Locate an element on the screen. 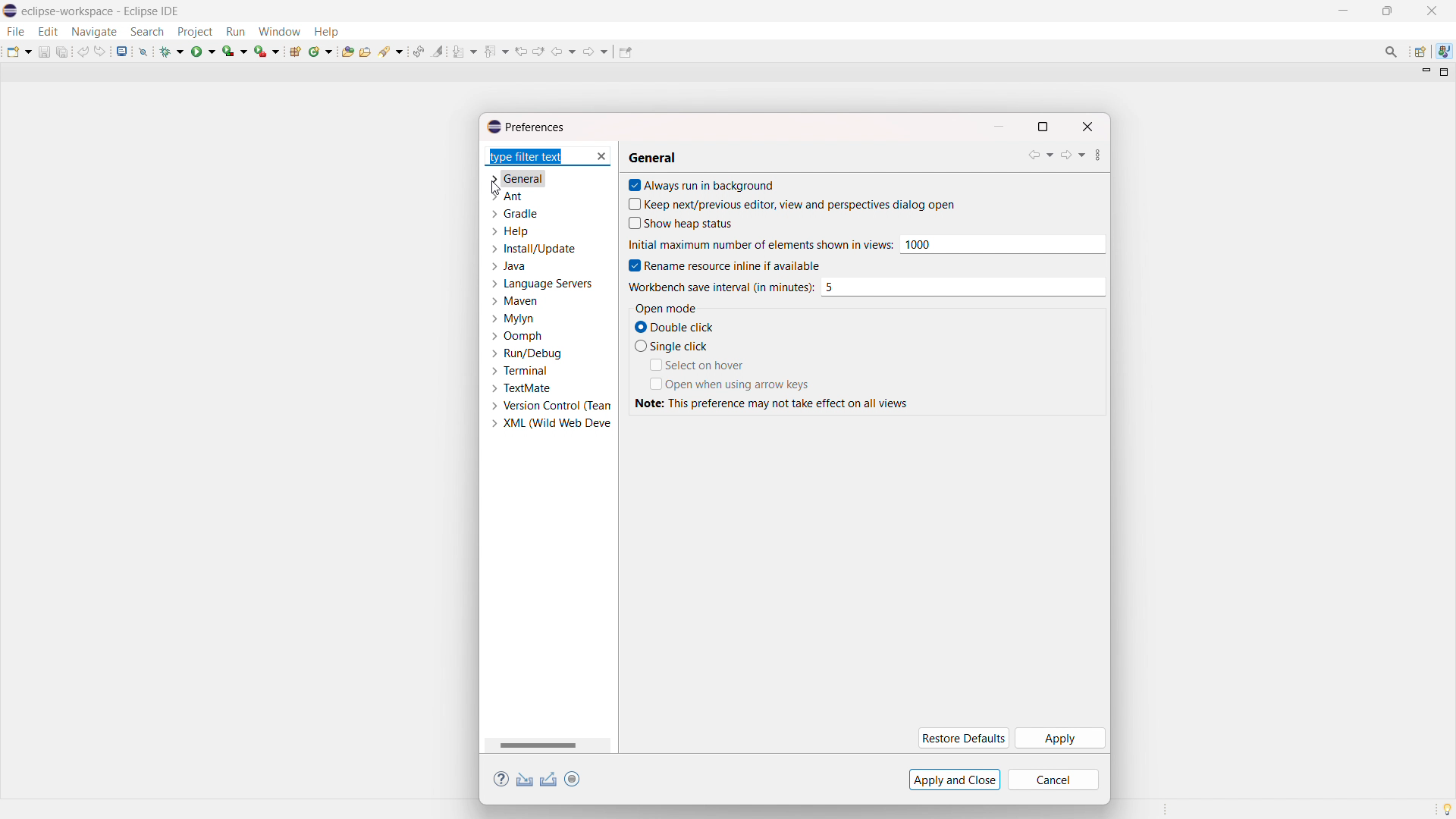 The image size is (1456, 819). search is located at coordinates (392, 50).